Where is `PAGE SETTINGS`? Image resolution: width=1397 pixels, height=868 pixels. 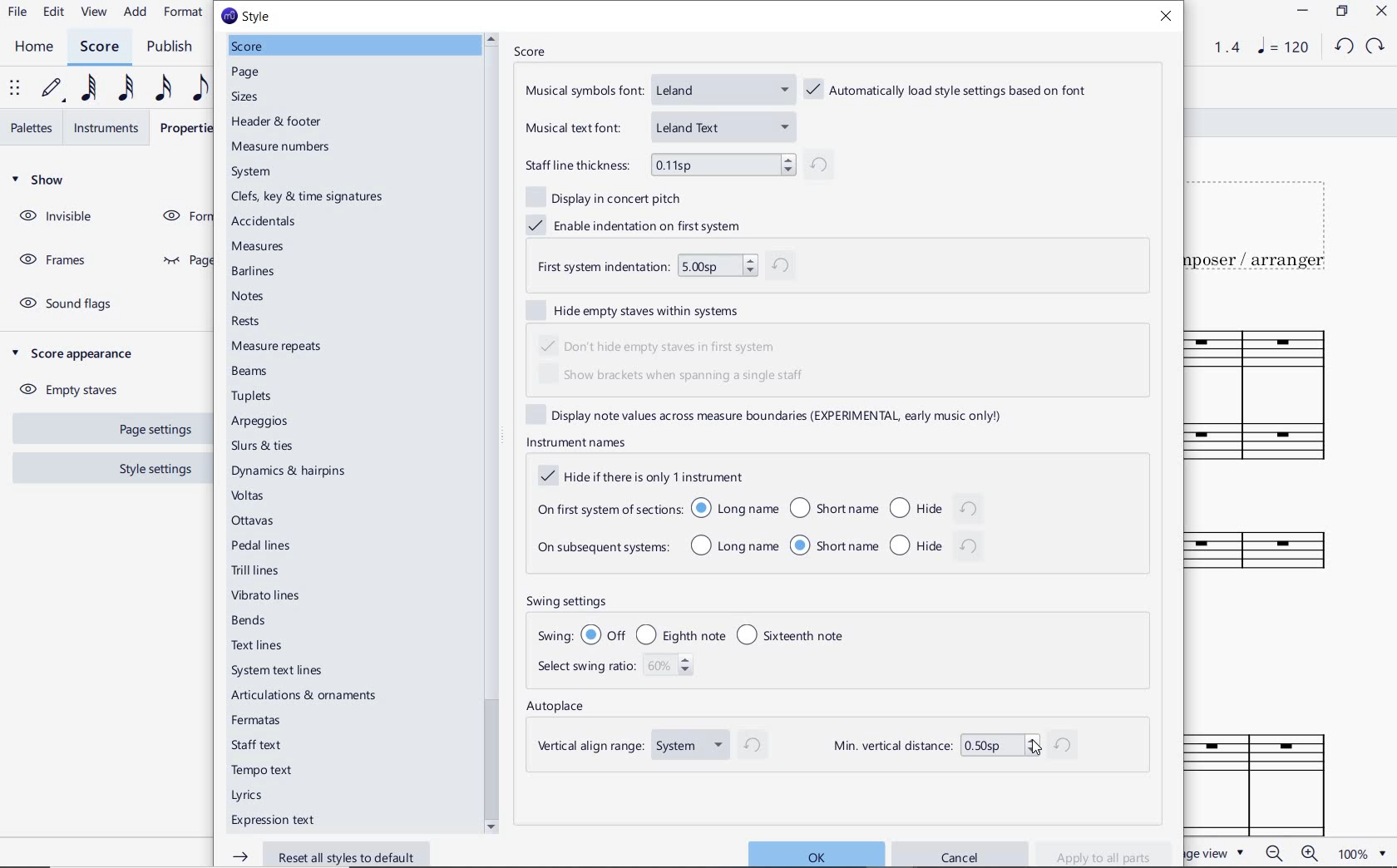
PAGE SETTINGS is located at coordinates (146, 430).